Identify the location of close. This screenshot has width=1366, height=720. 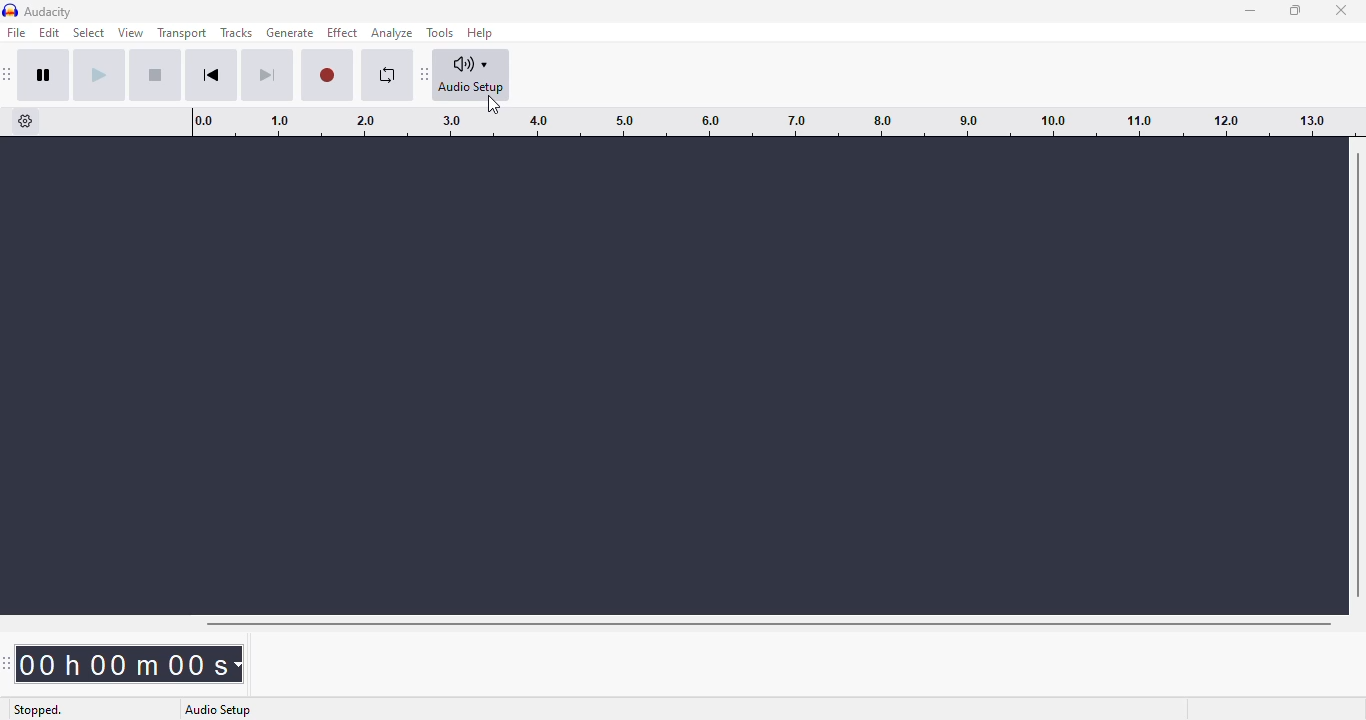
(1342, 10).